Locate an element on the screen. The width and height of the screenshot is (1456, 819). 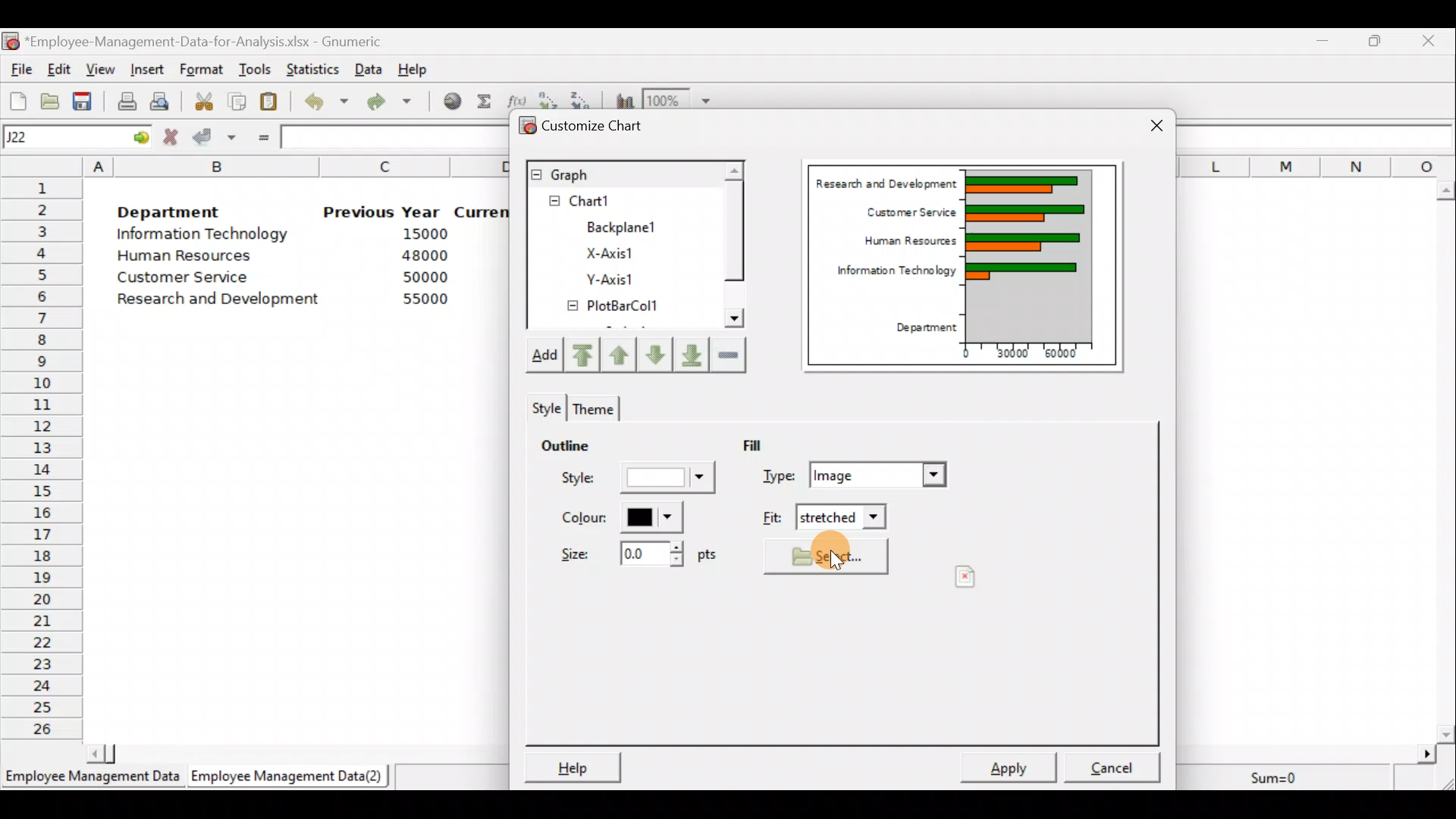
Graph is located at coordinates (623, 173).